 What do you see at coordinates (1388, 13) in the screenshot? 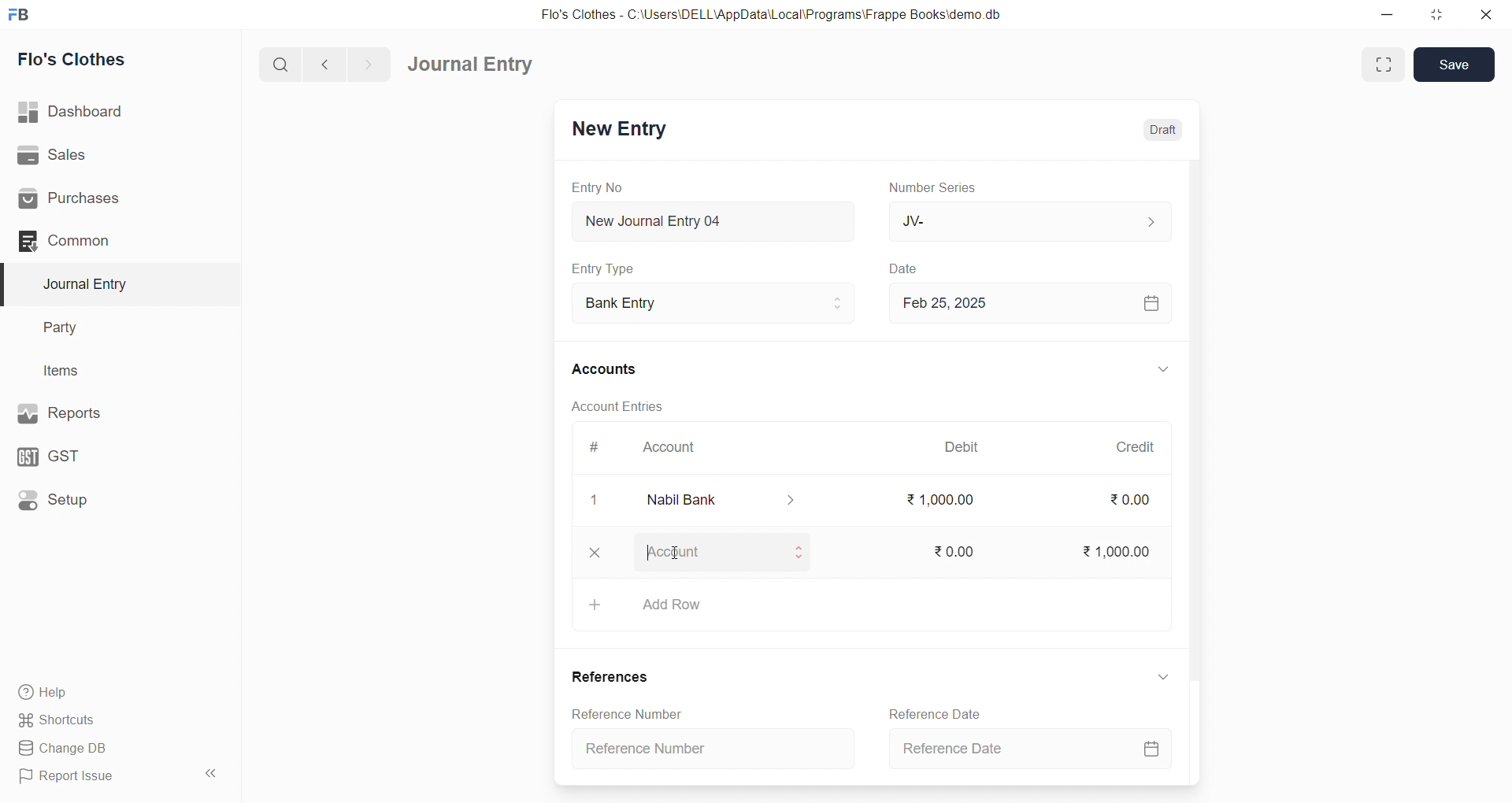
I see `minimize` at bounding box center [1388, 13].